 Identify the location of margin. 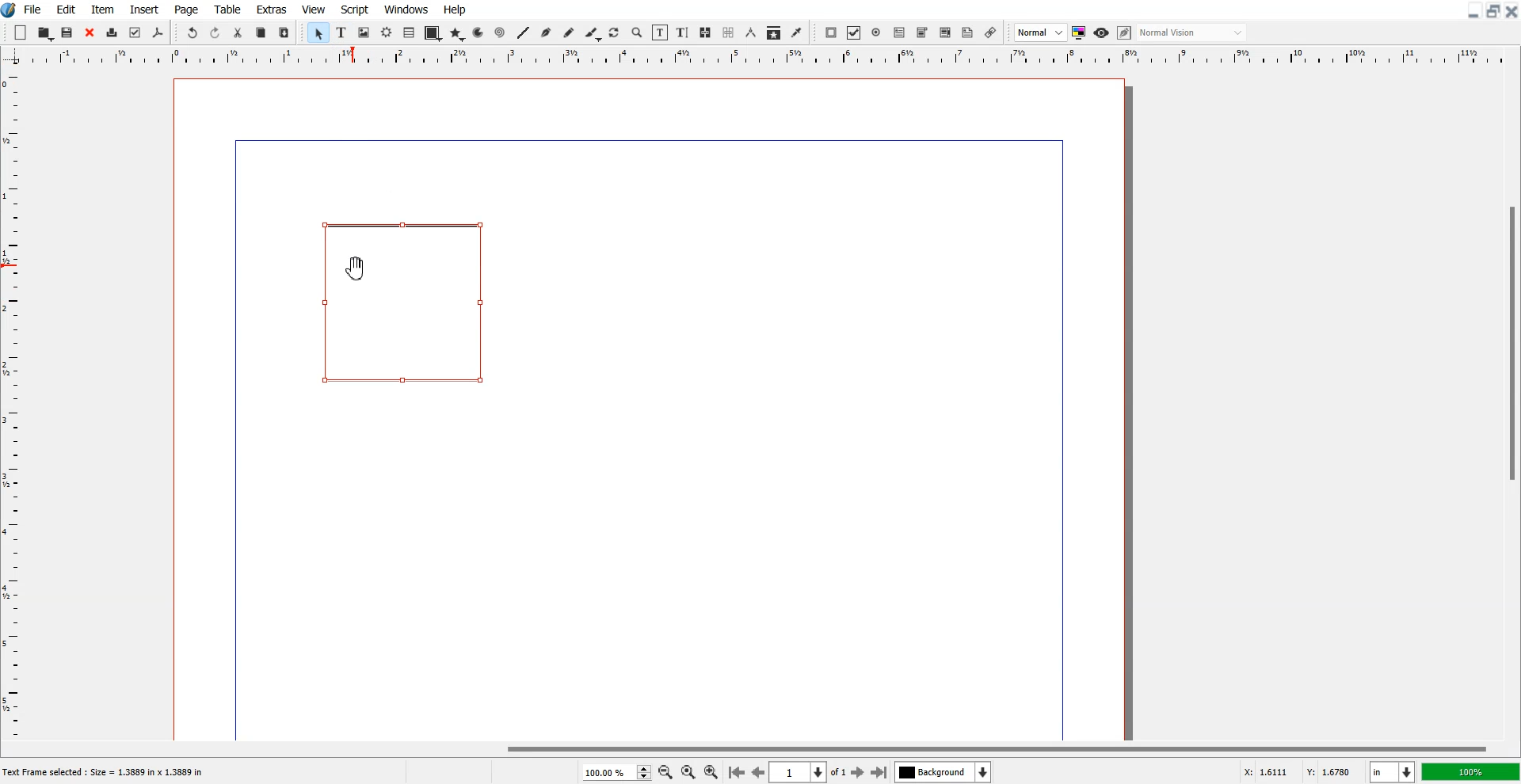
(232, 443).